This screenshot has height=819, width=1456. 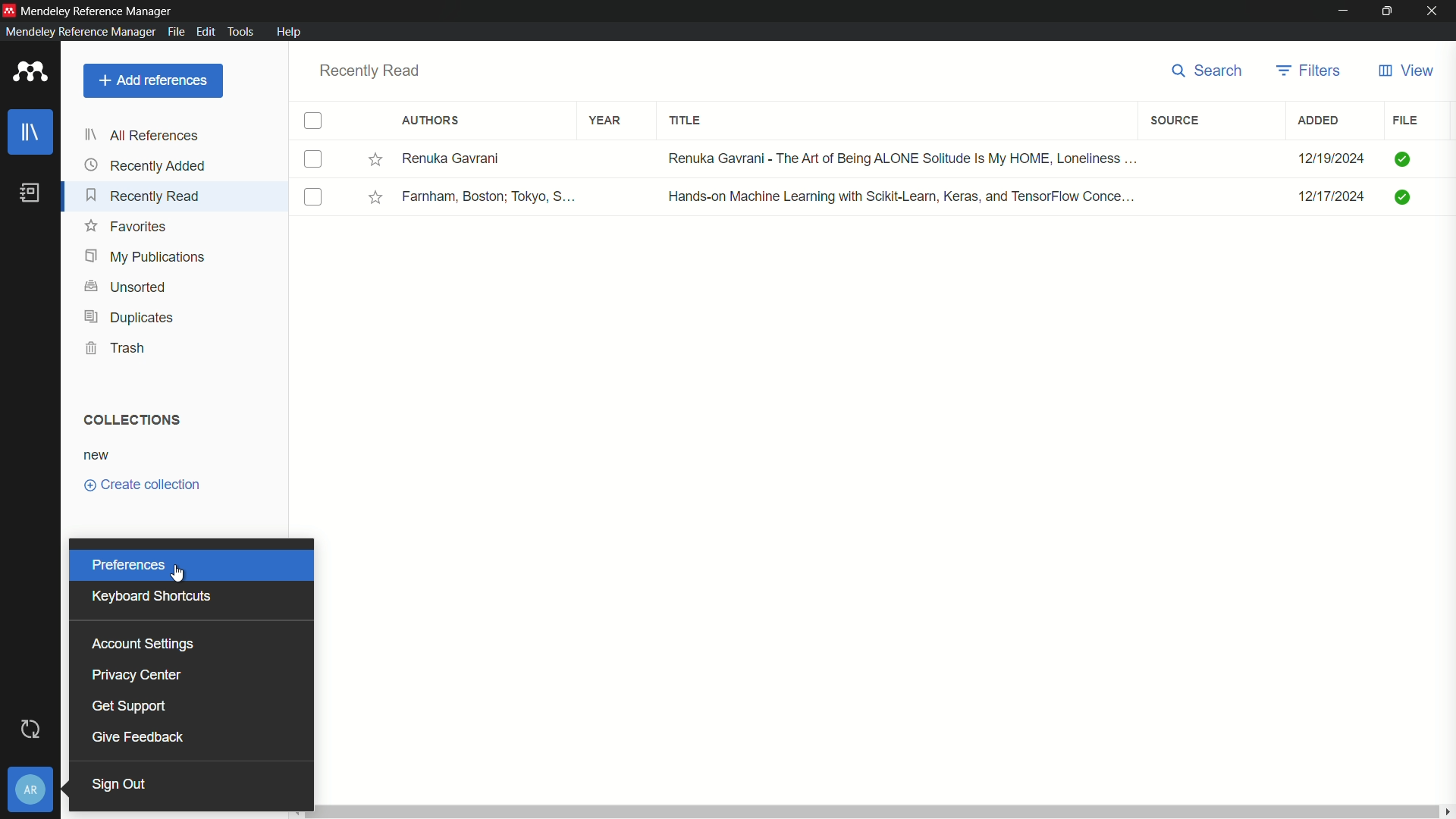 I want to click on account and settings, so click(x=33, y=790).